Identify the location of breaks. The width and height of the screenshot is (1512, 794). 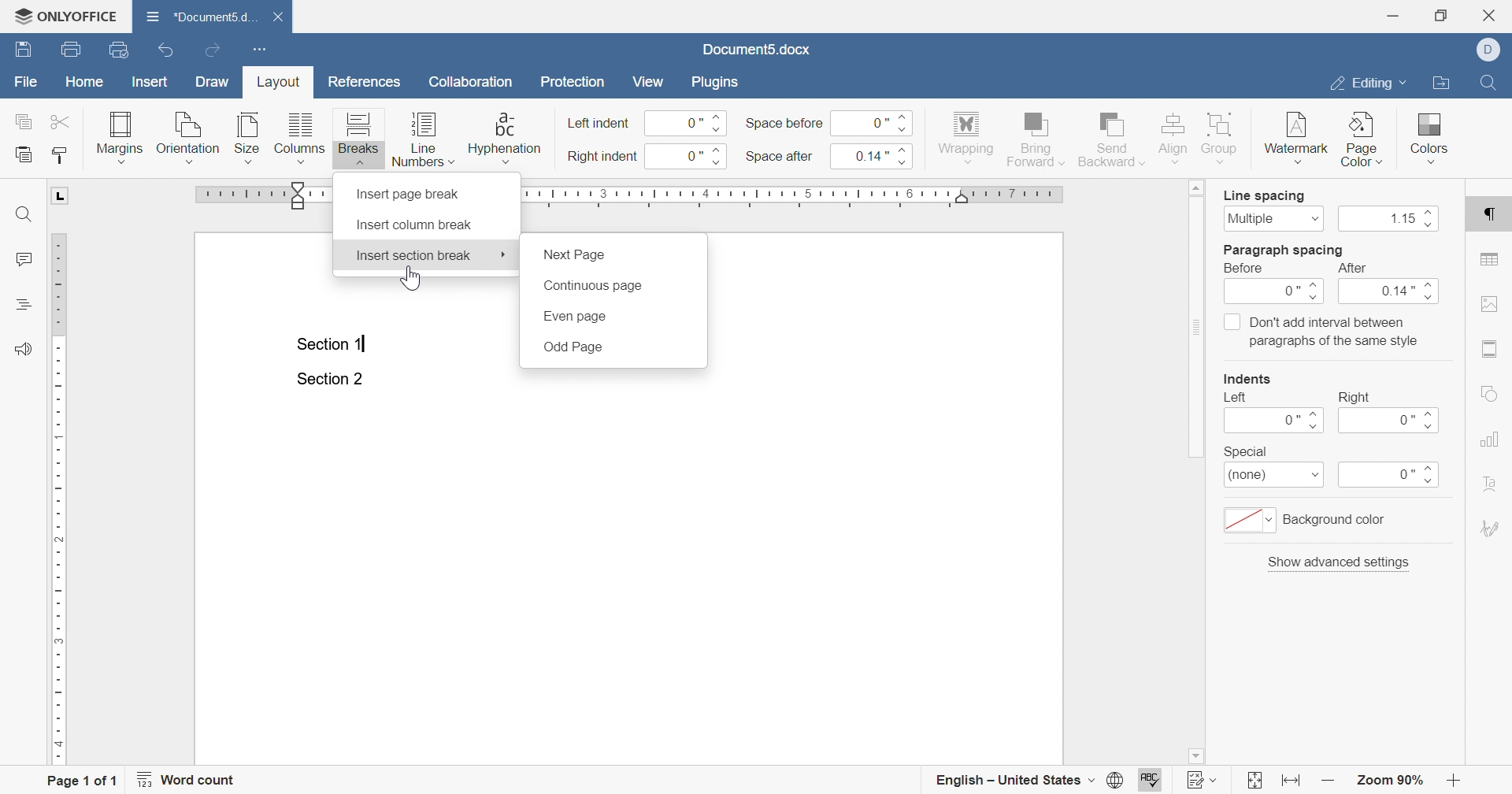
(359, 138).